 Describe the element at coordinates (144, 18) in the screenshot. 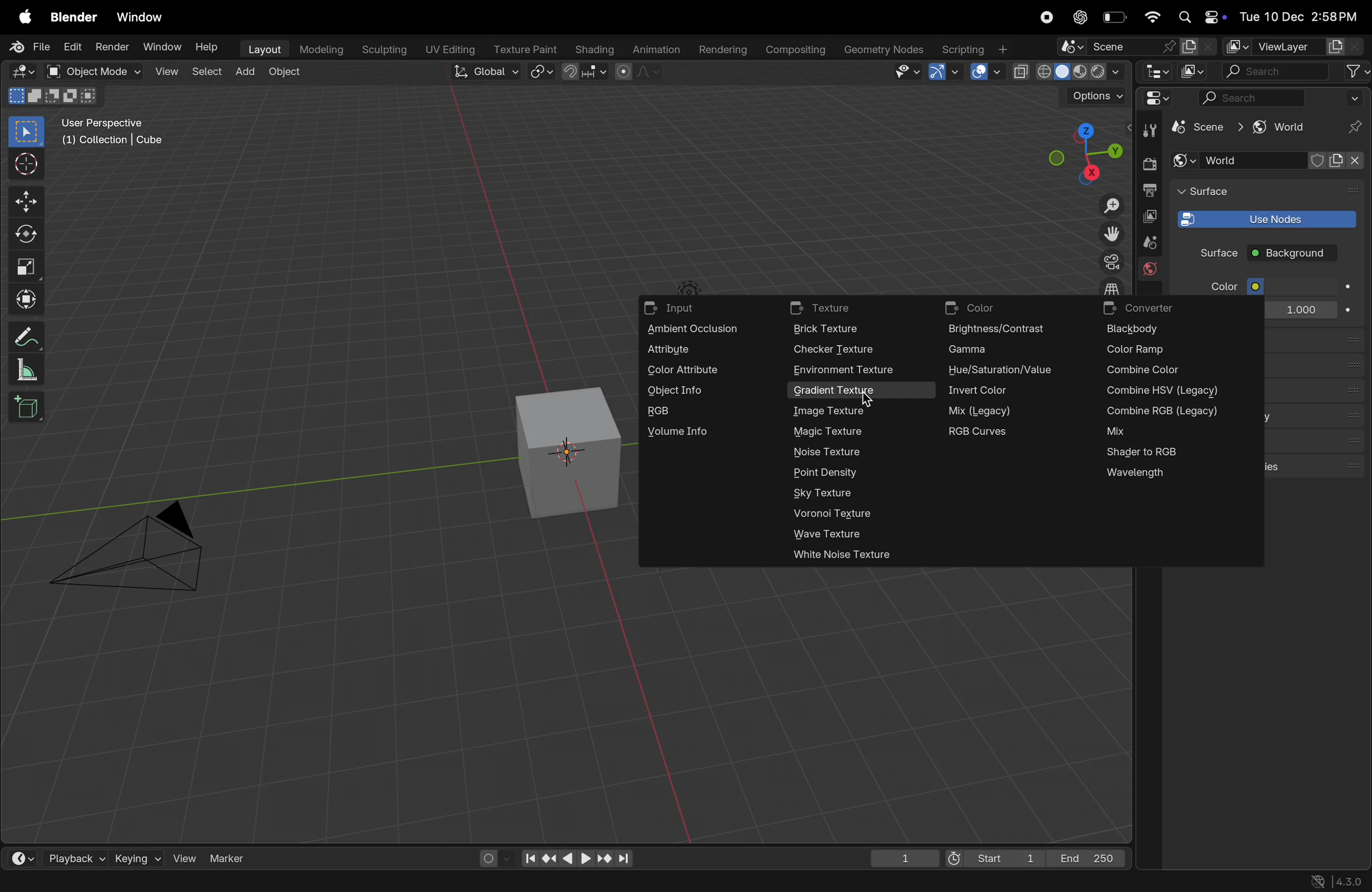

I see `Window` at that location.